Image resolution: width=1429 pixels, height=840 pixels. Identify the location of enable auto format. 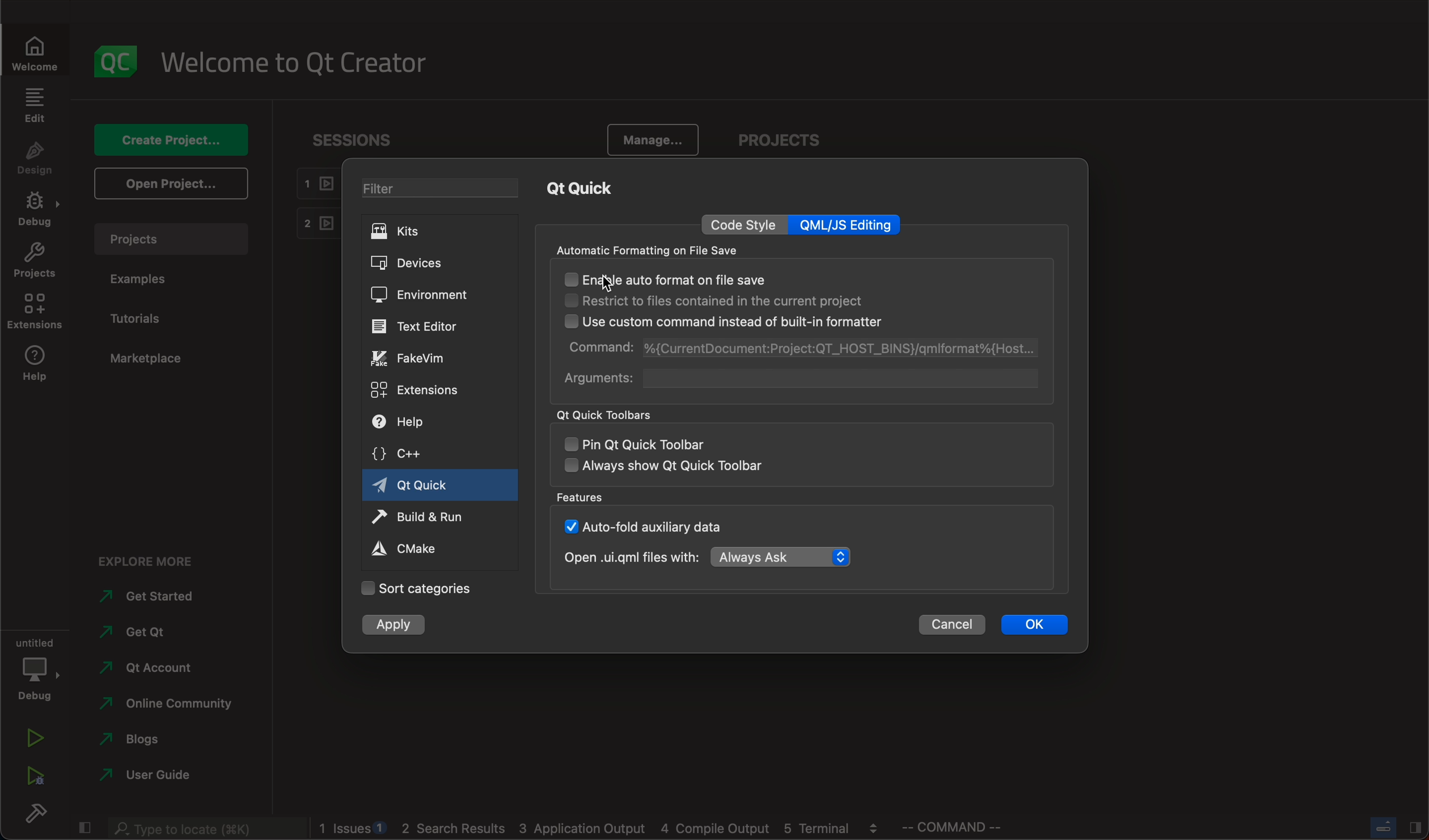
(665, 281).